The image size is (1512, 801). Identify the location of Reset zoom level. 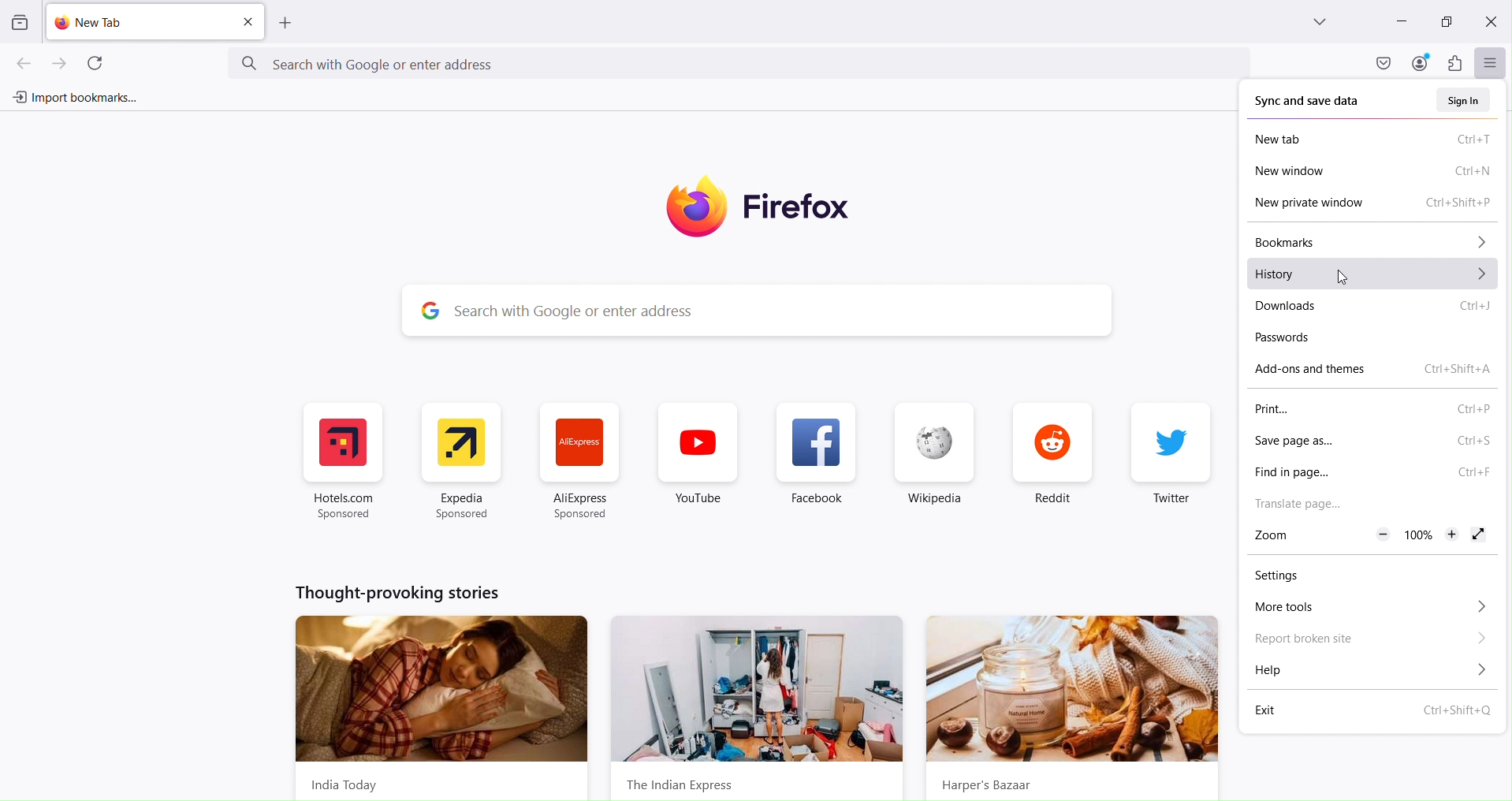
(1416, 535).